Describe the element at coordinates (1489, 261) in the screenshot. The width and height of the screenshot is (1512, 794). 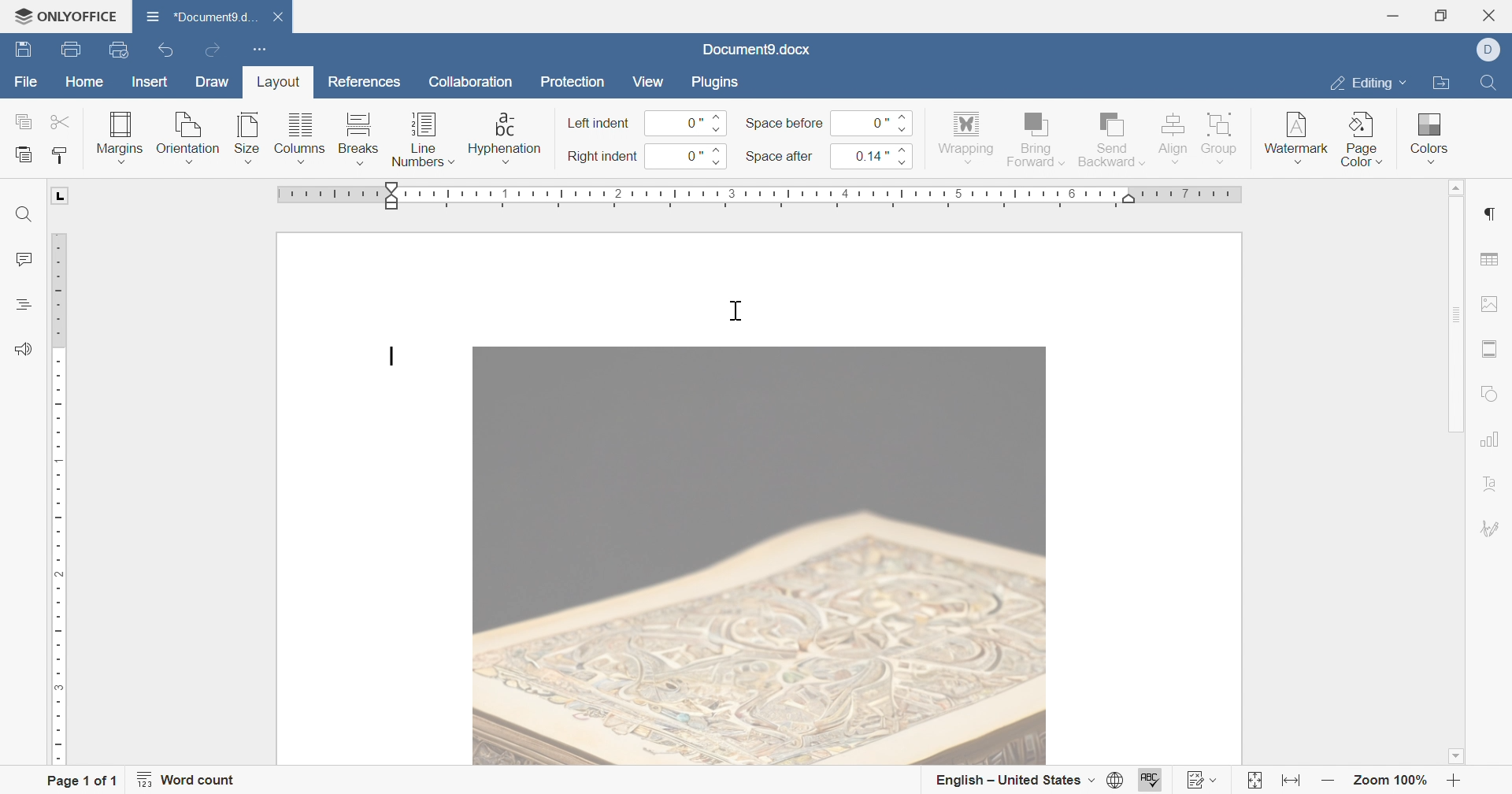
I see `table settings` at that location.